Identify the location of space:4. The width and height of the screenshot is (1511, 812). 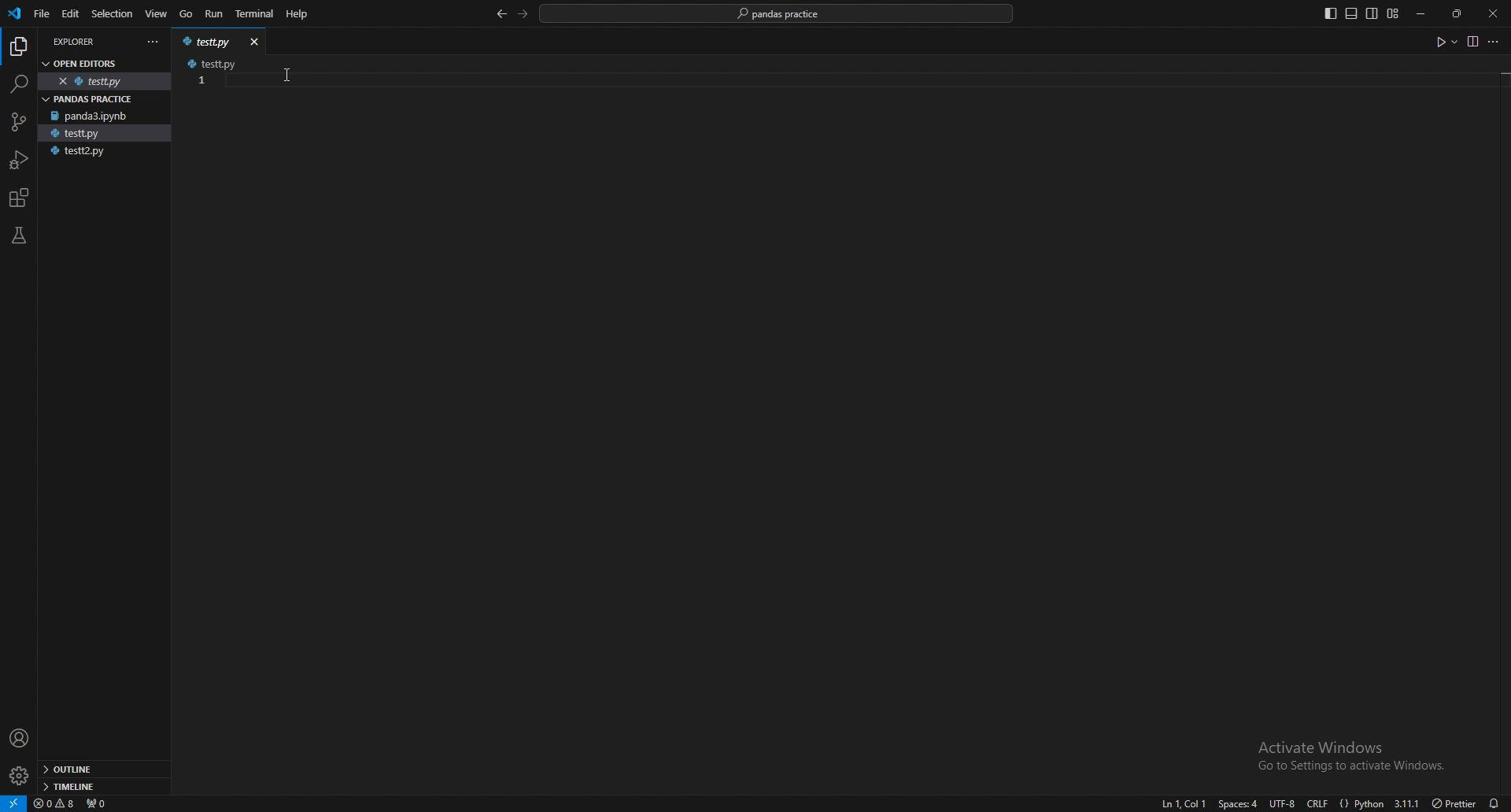
(1236, 803).